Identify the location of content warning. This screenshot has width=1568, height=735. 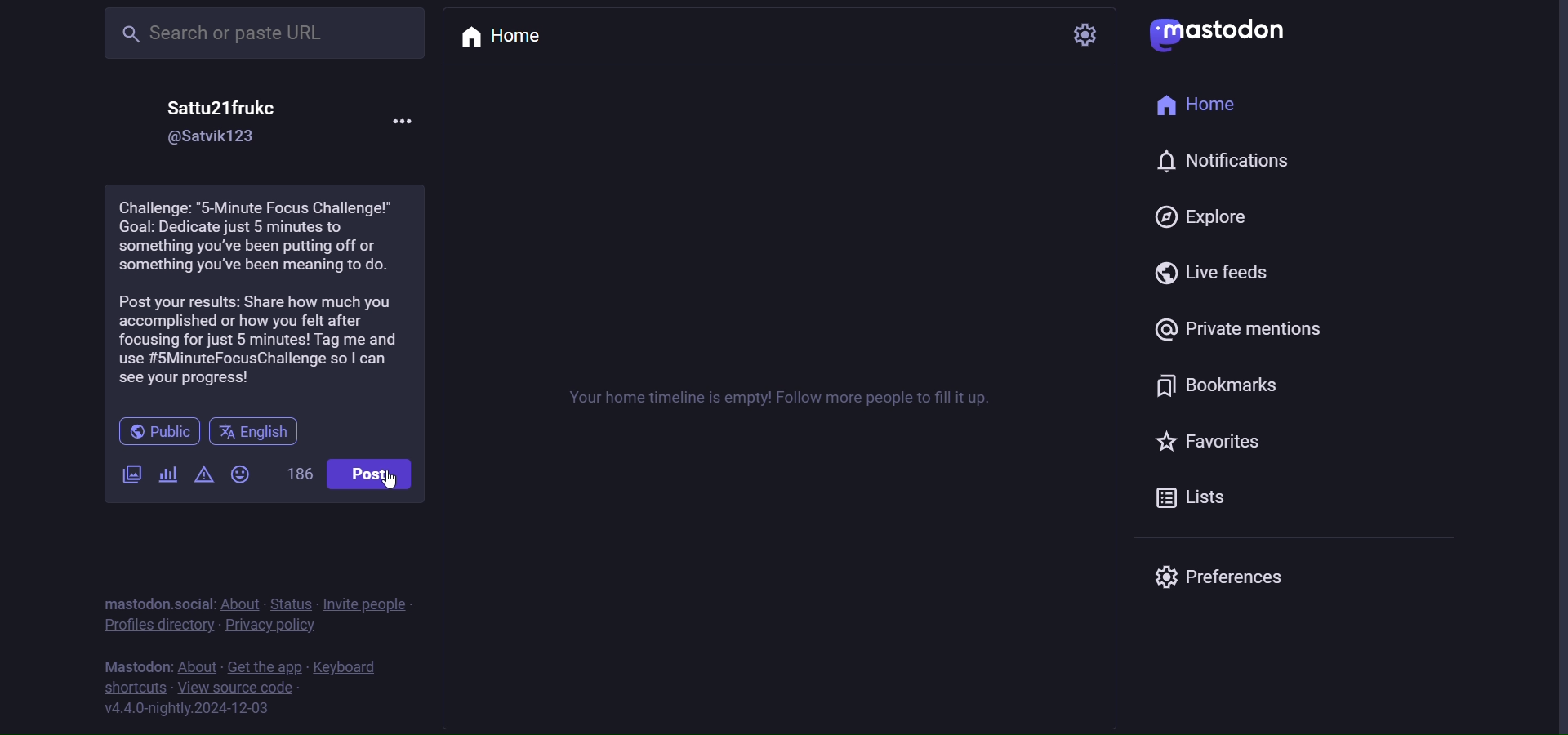
(203, 475).